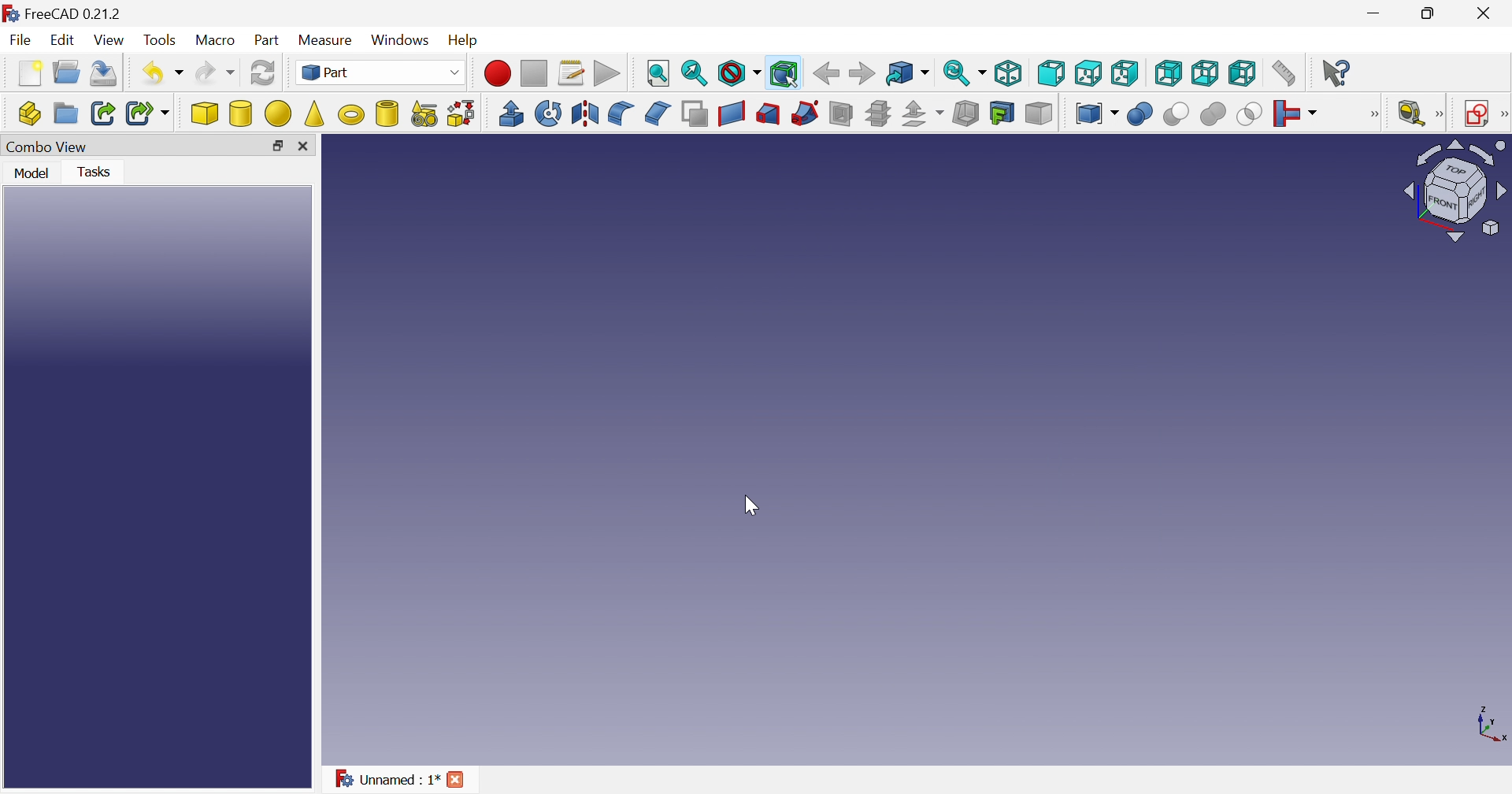  I want to click on Fit selection, so click(695, 74).